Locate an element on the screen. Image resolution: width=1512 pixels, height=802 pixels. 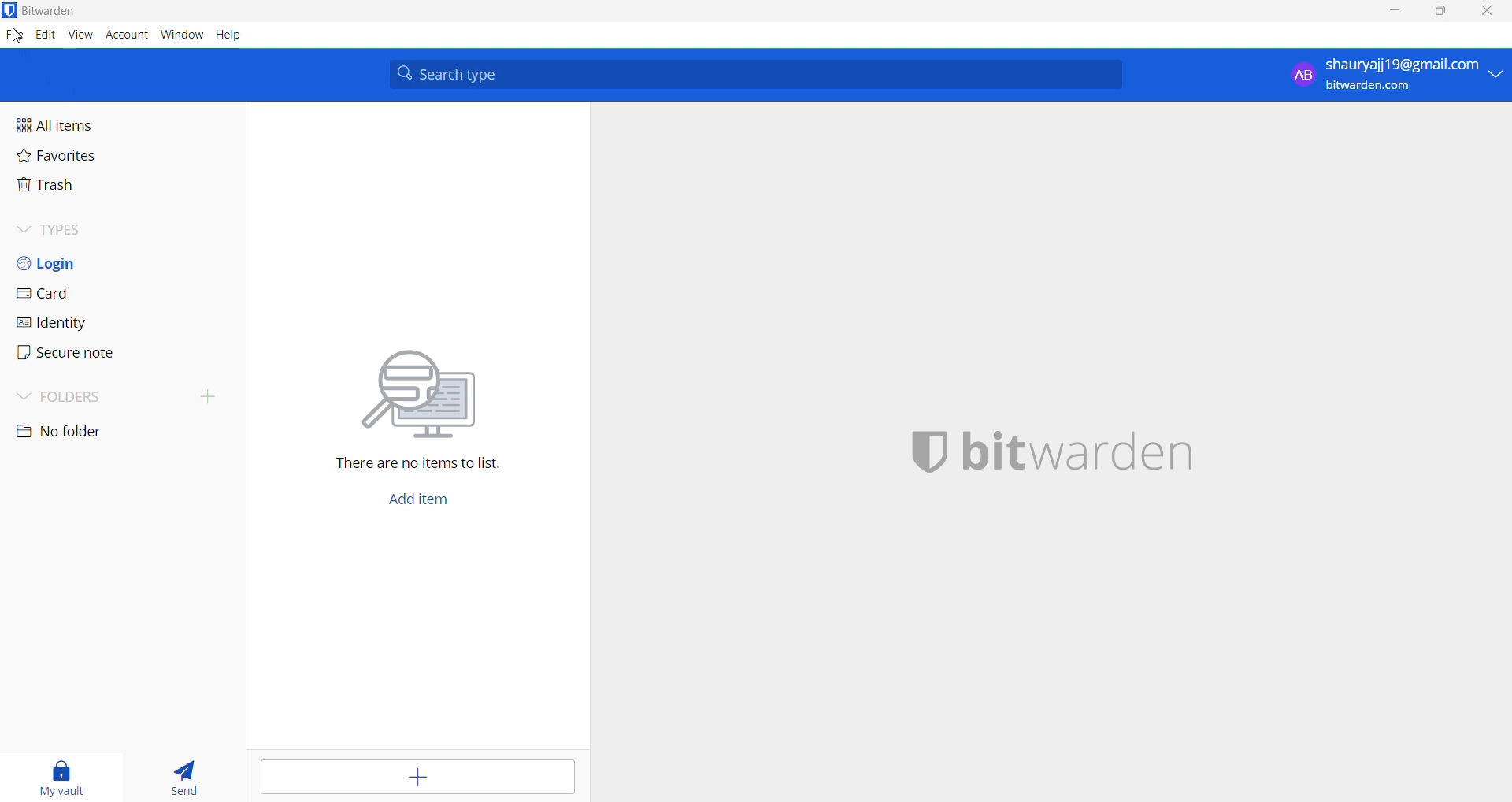
bitwarden logo is located at coordinates (1067, 452).